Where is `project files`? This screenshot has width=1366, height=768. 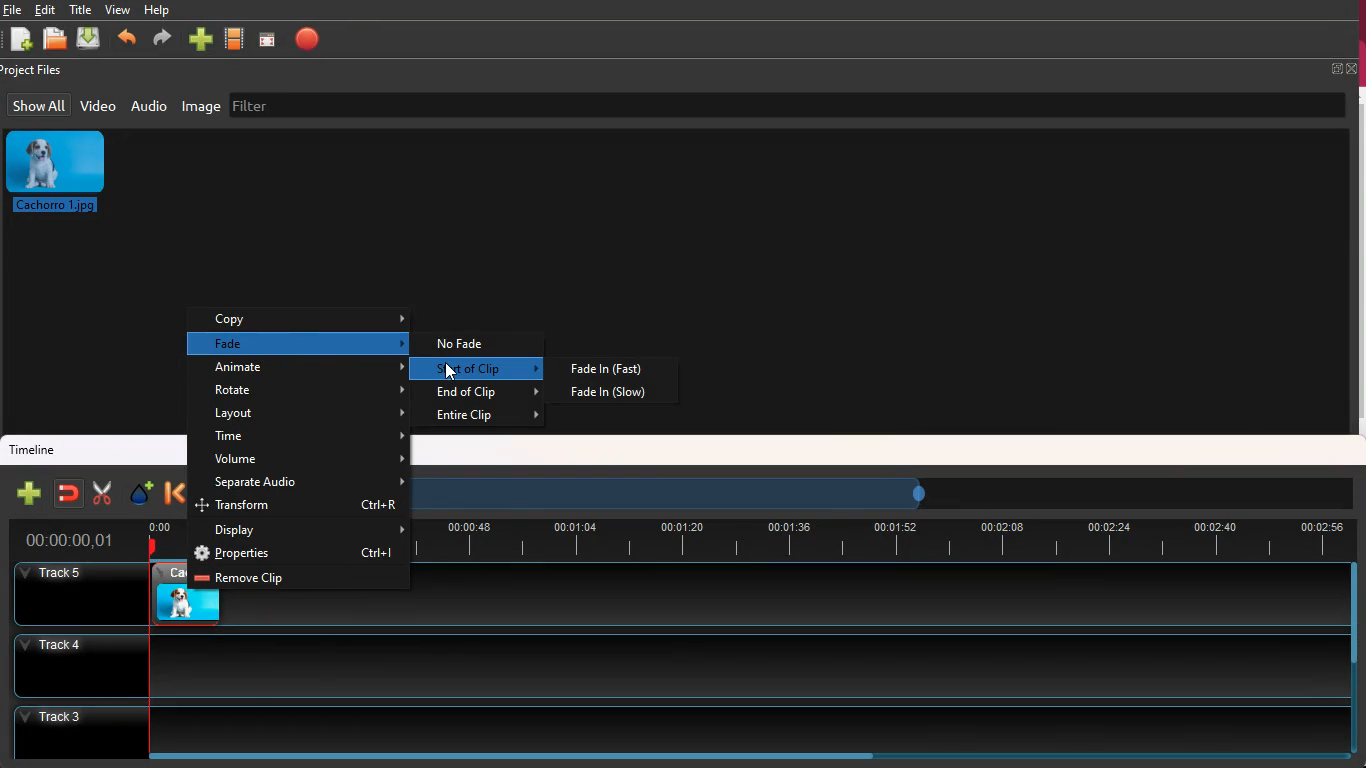 project files is located at coordinates (40, 70).